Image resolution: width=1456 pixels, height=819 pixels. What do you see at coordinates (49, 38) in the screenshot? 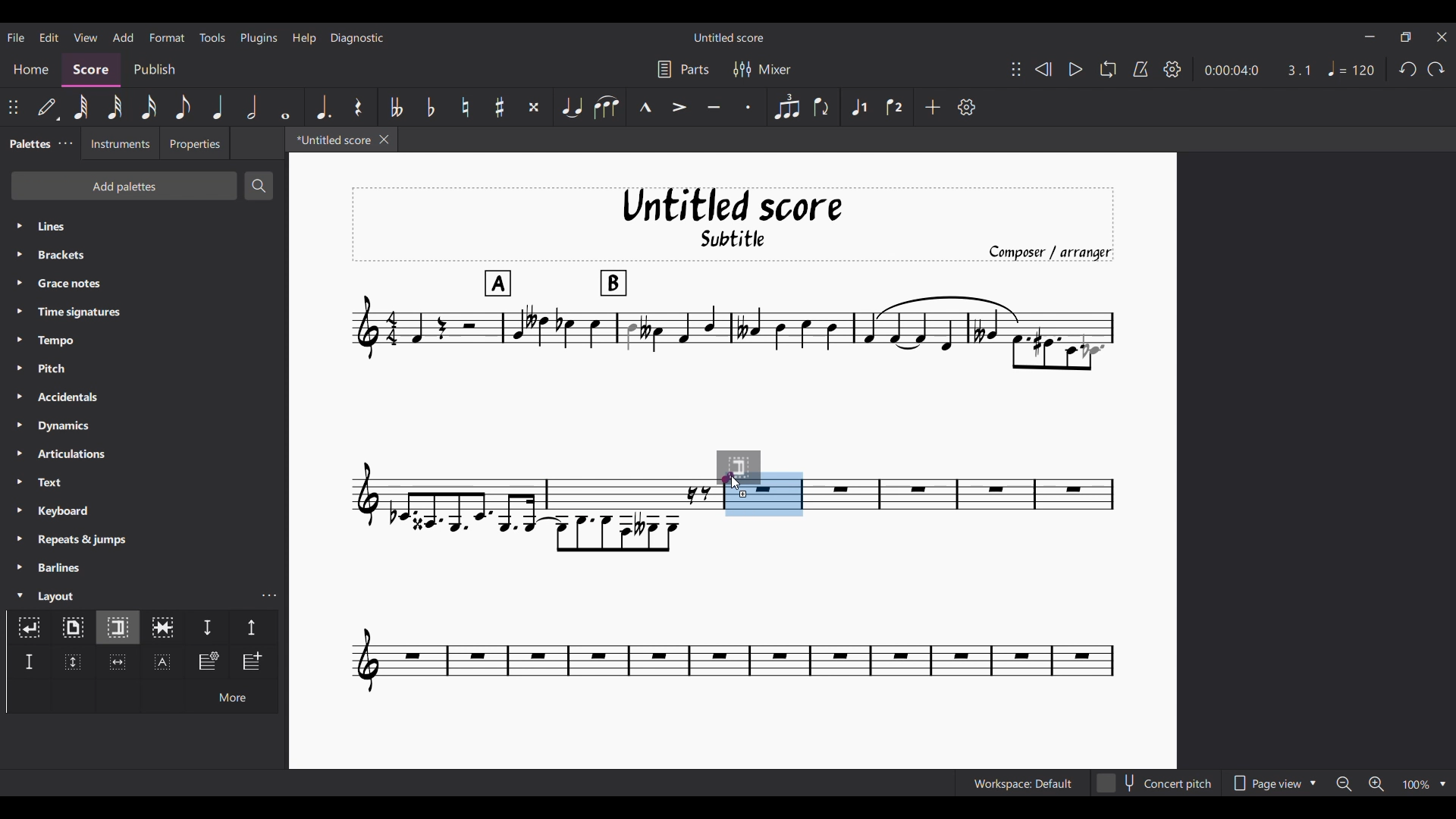
I see `Edit menu` at bounding box center [49, 38].